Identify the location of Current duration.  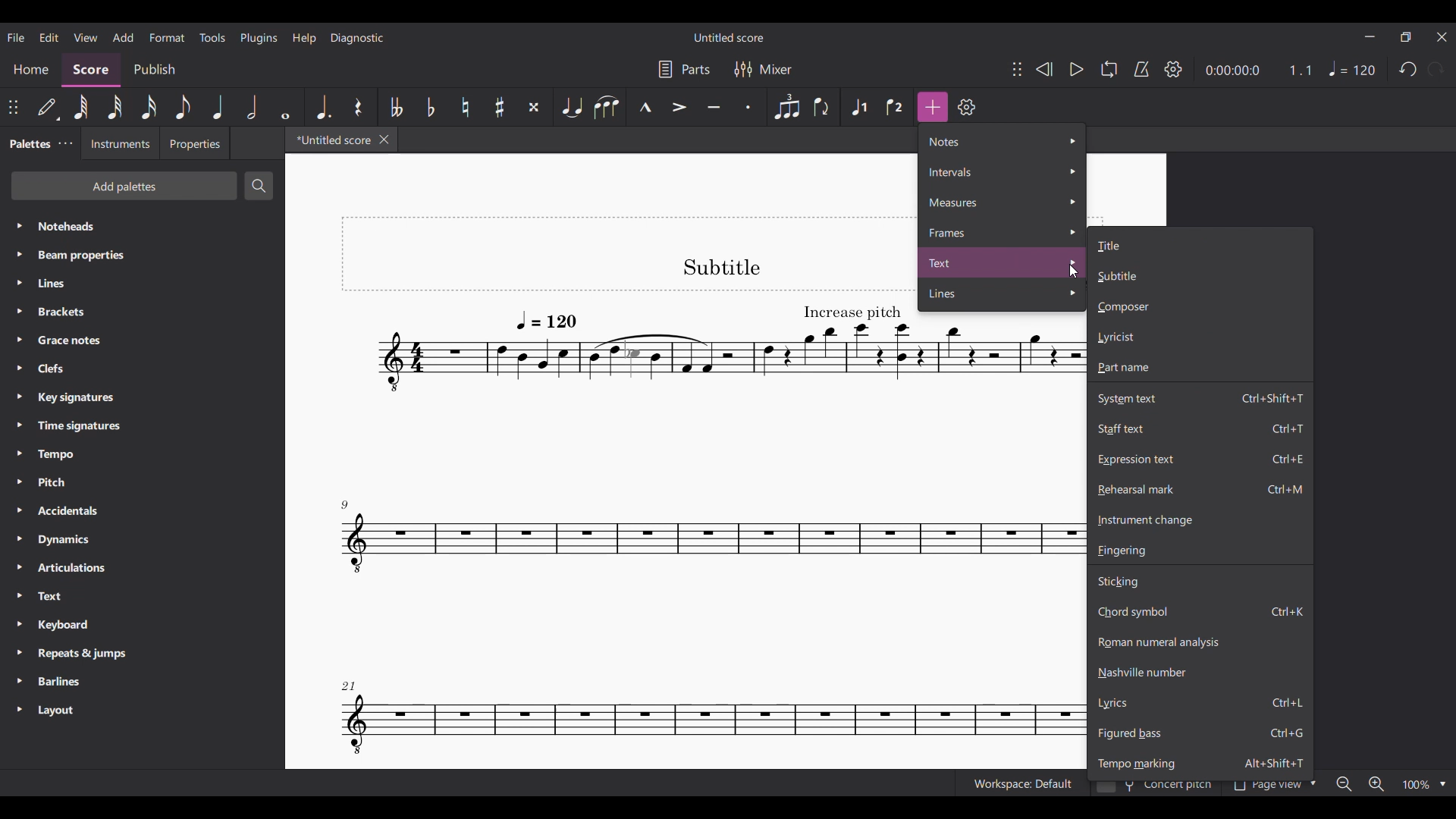
(1232, 71).